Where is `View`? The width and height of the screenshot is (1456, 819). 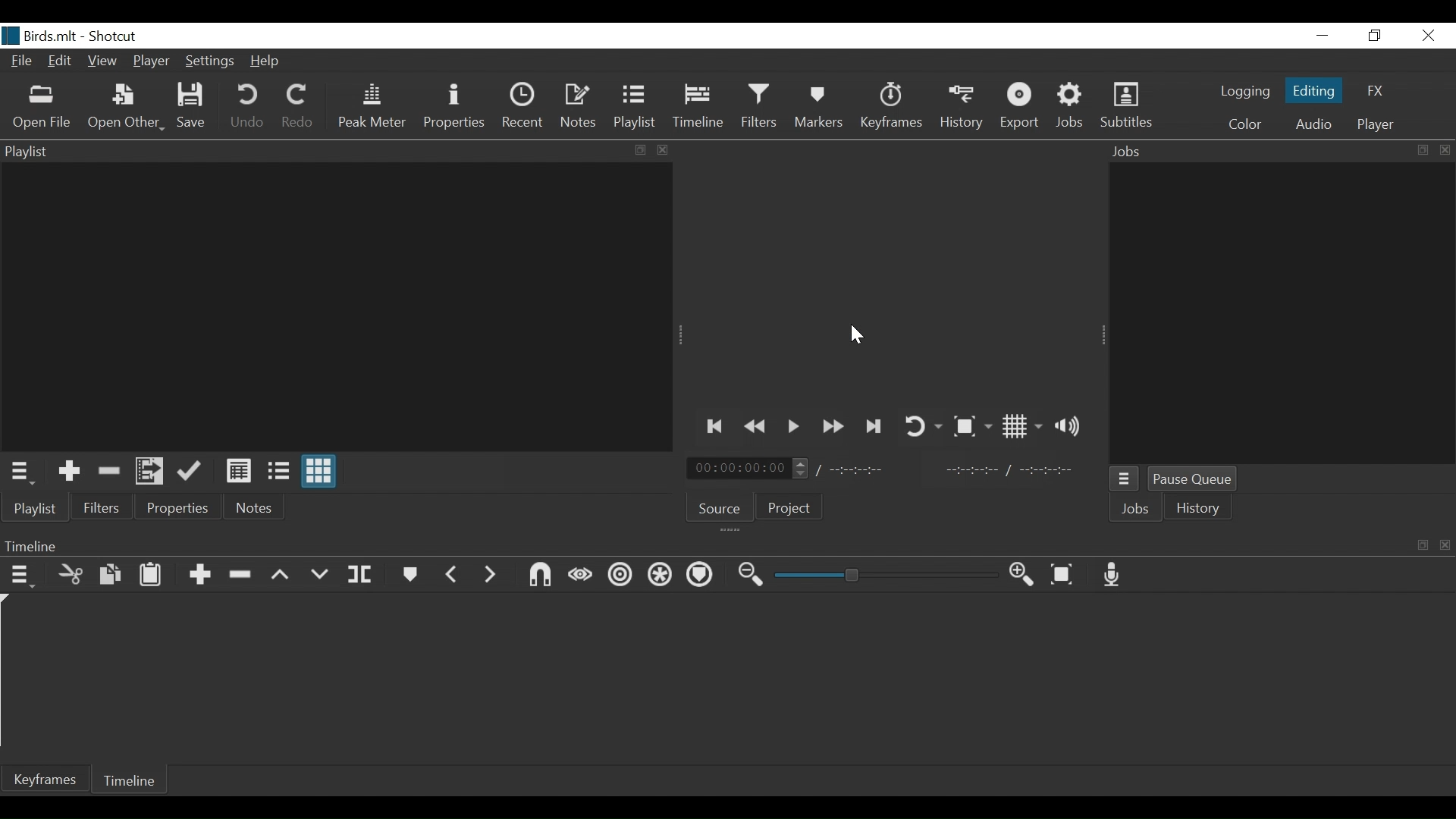
View is located at coordinates (103, 63).